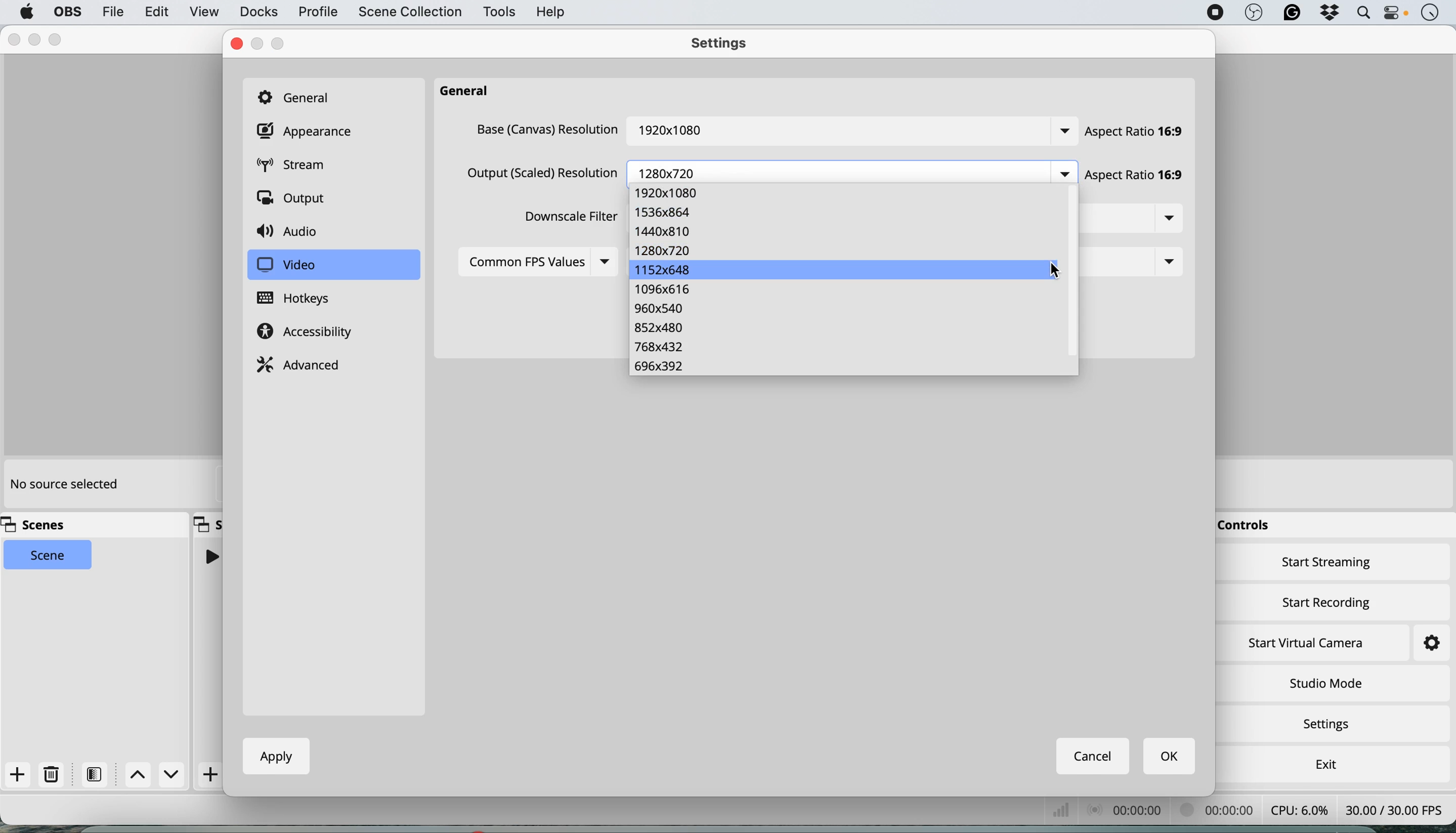 The image size is (1456, 833). Describe the element at coordinates (660, 309) in the screenshot. I see `960x540` at that location.